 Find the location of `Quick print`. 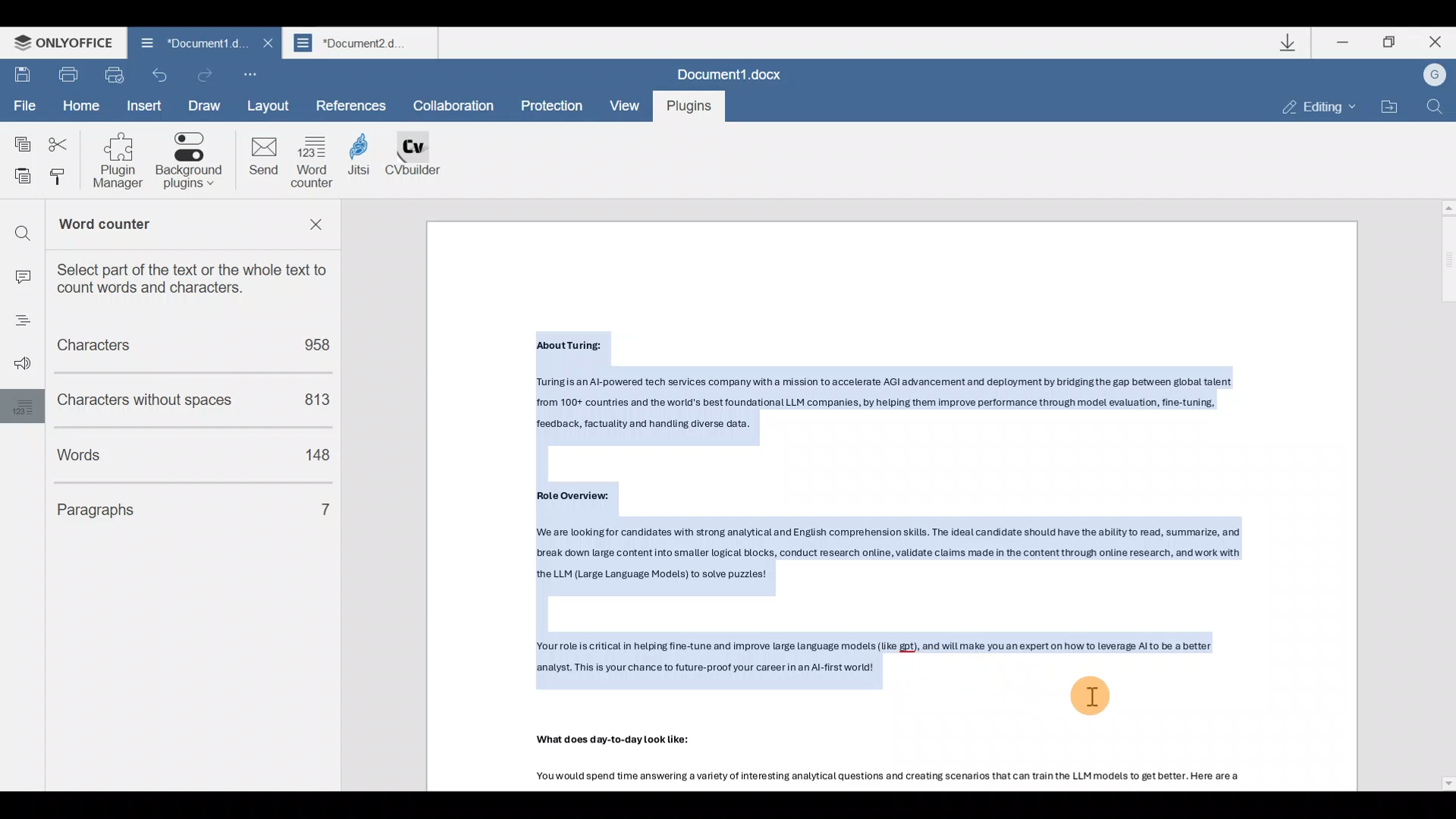

Quick print is located at coordinates (114, 74).